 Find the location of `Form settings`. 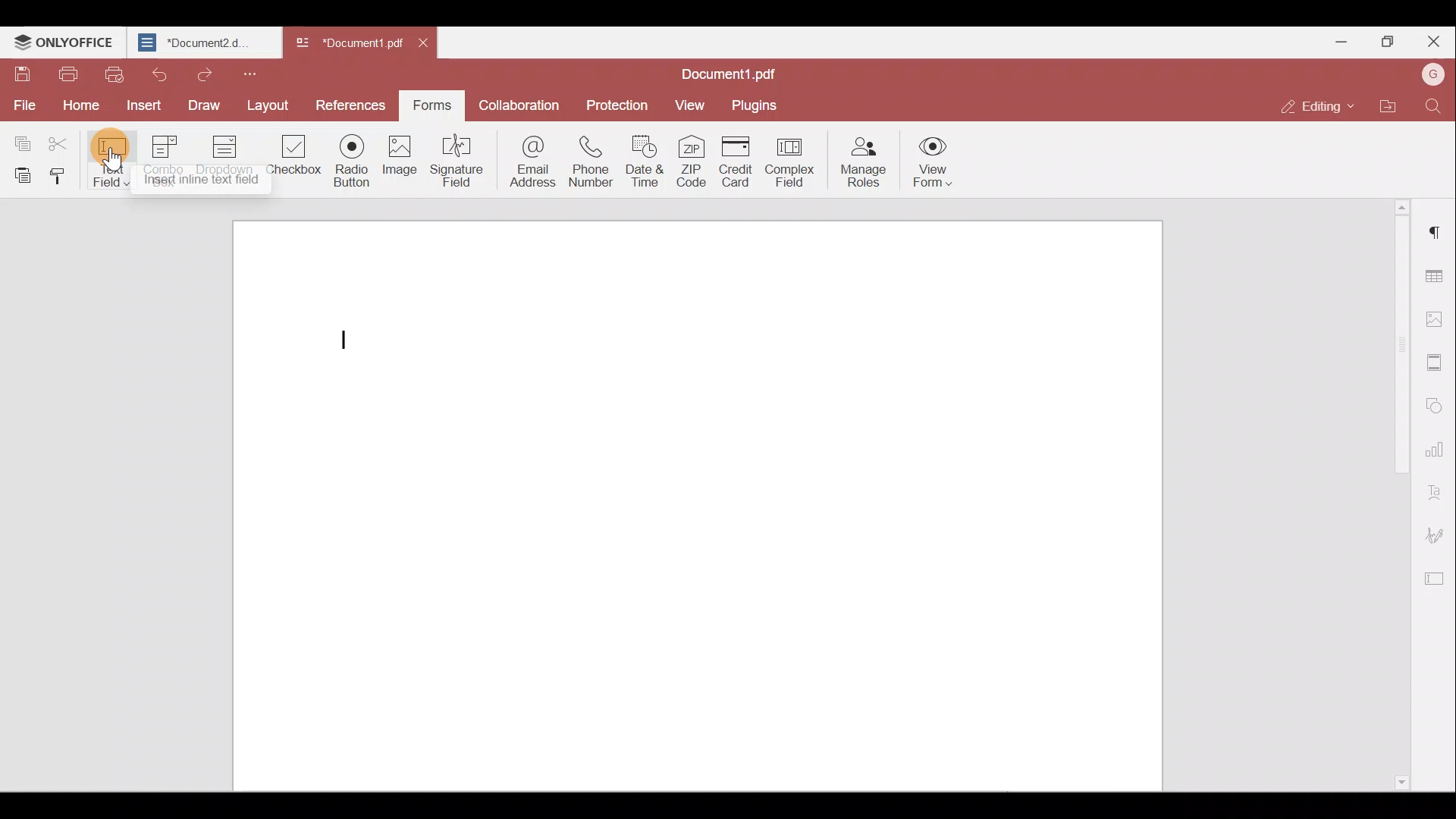

Form settings is located at coordinates (1437, 577).